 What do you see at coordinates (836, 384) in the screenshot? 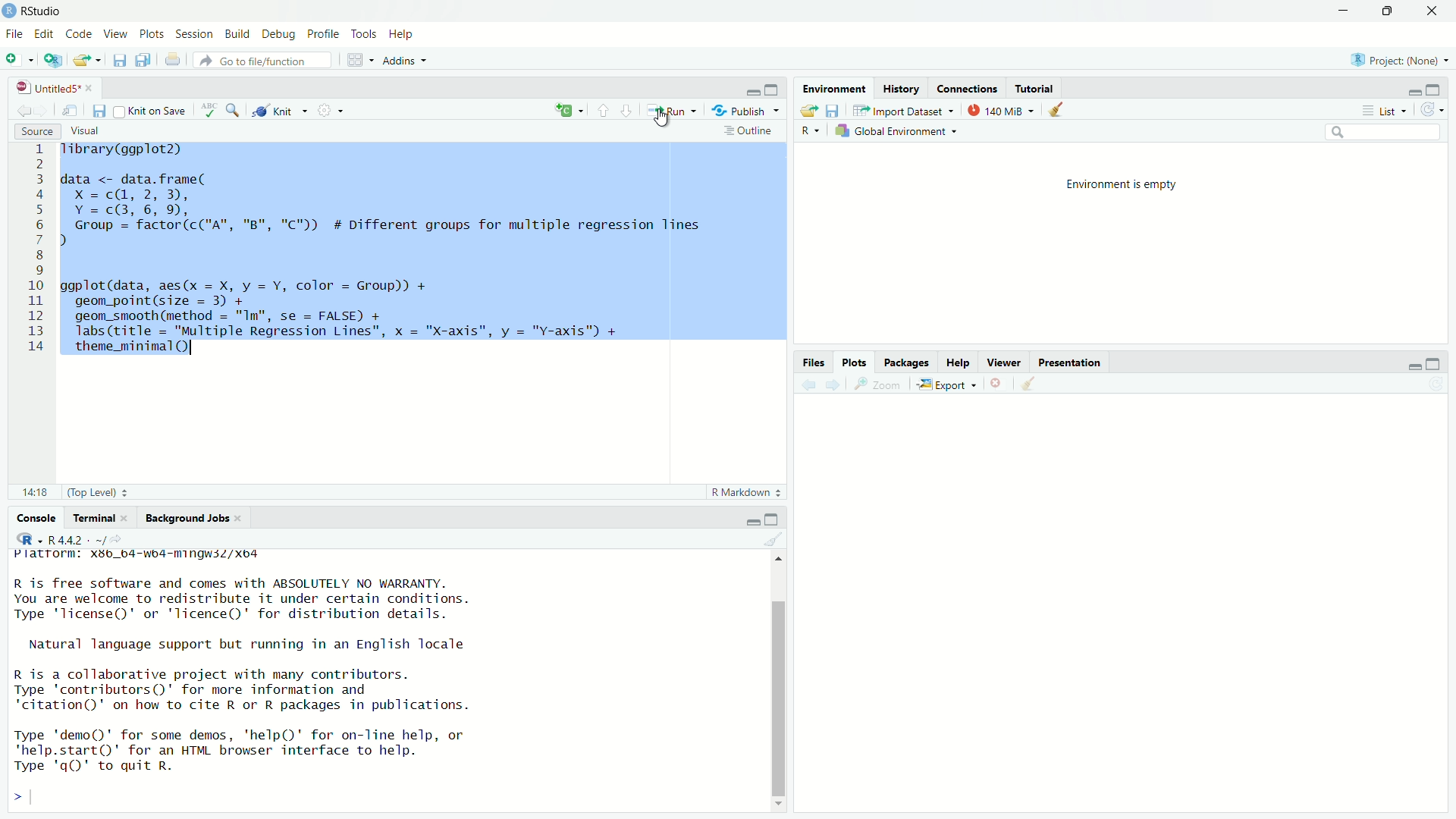
I see `forward` at bounding box center [836, 384].